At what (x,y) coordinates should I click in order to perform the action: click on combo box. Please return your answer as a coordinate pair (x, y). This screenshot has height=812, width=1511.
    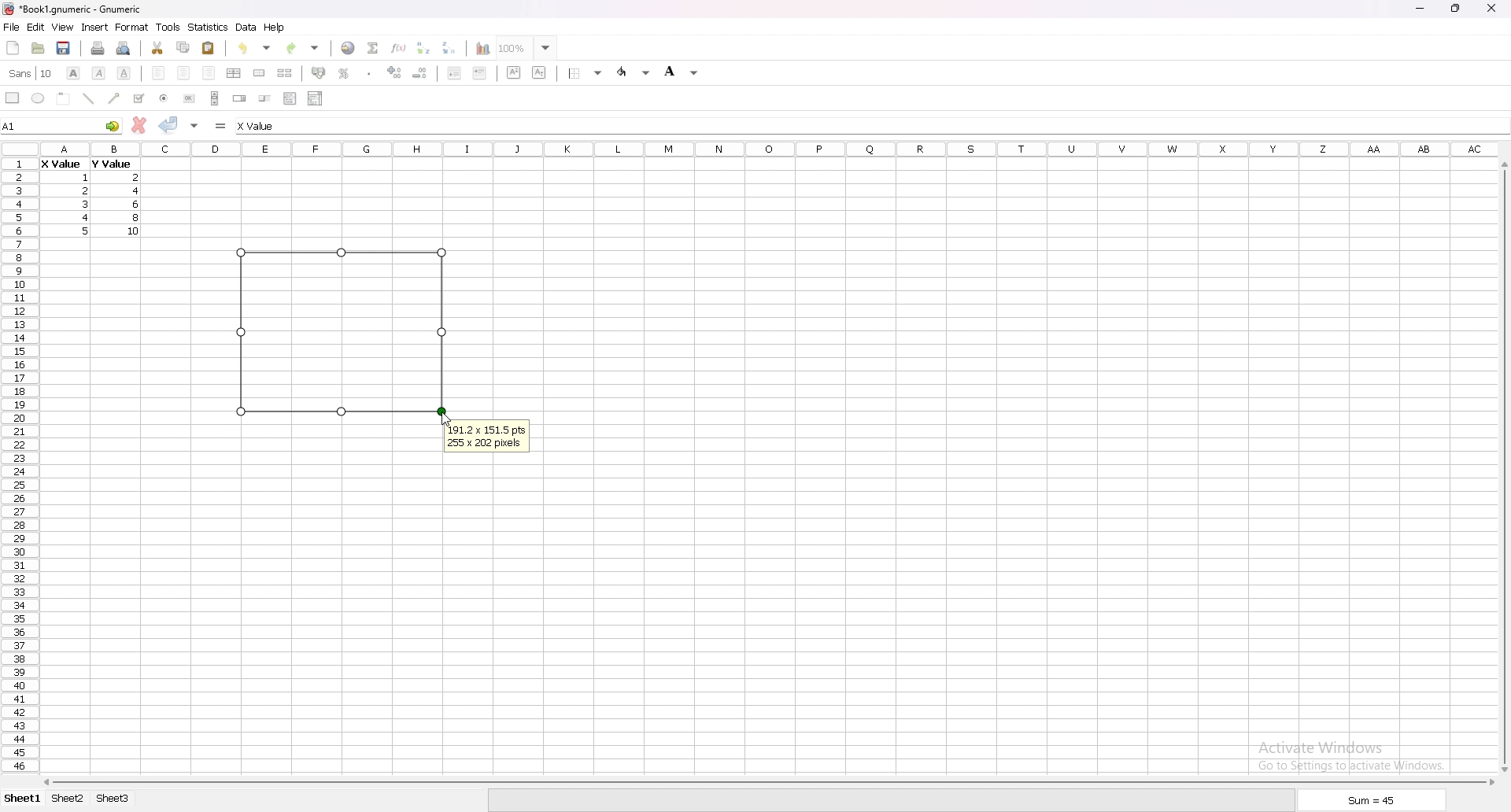
    Looking at the image, I should click on (315, 98).